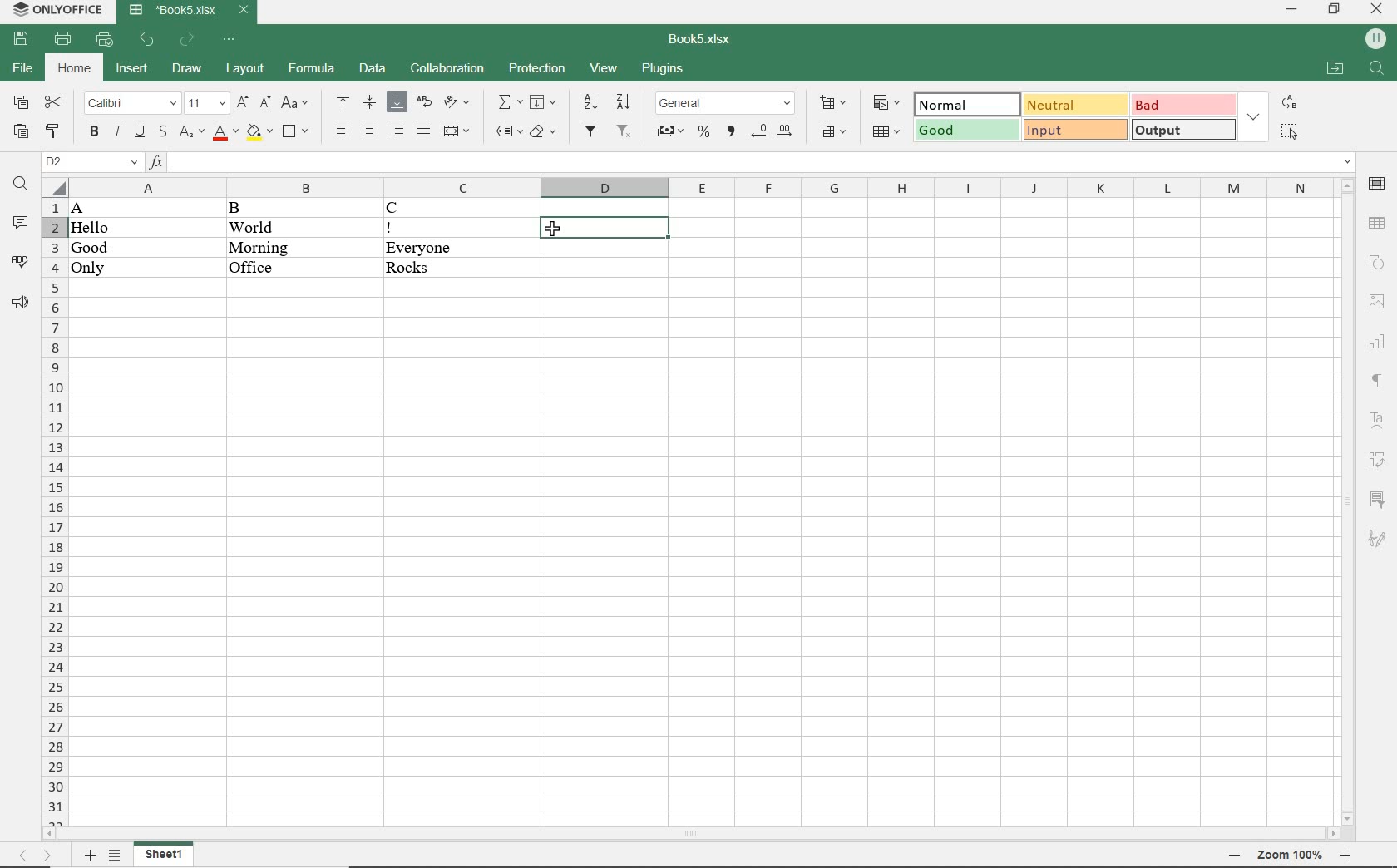  What do you see at coordinates (149, 40) in the screenshot?
I see `undo` at bounding box center [149, 40].